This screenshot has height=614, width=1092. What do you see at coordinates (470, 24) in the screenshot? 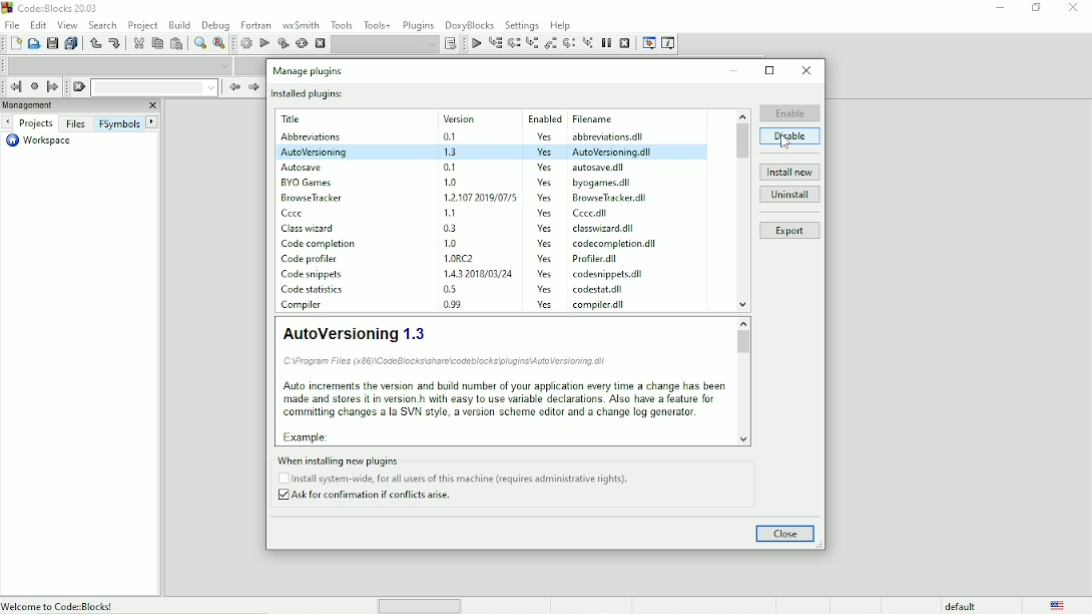
I see `DoxyBlocks` at bounding box center [470, 24].